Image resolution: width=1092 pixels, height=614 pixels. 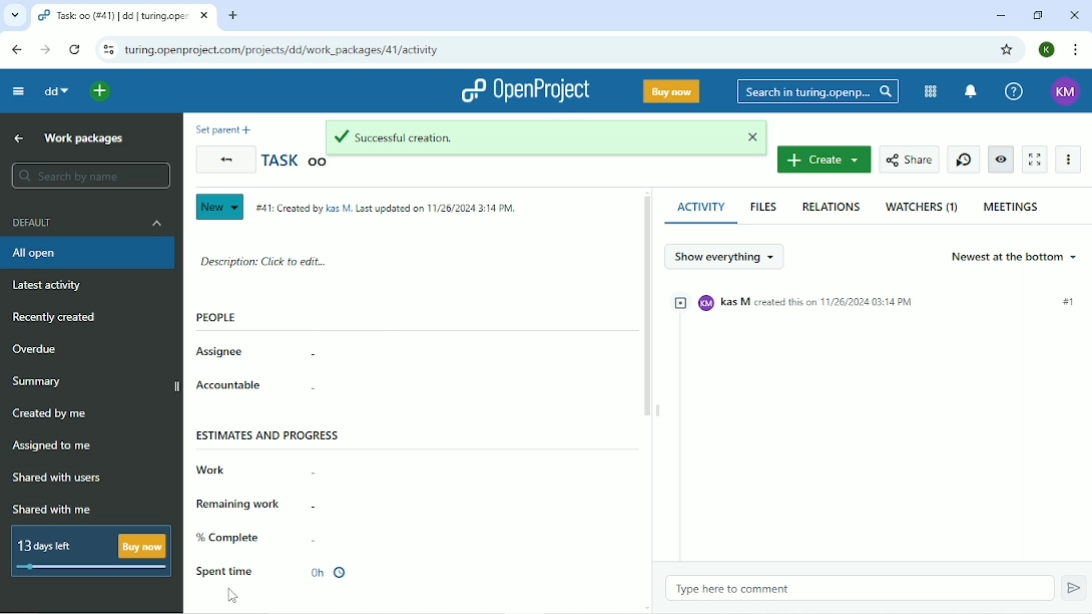 I want to click on Watchers, so click(x=920, y=206).